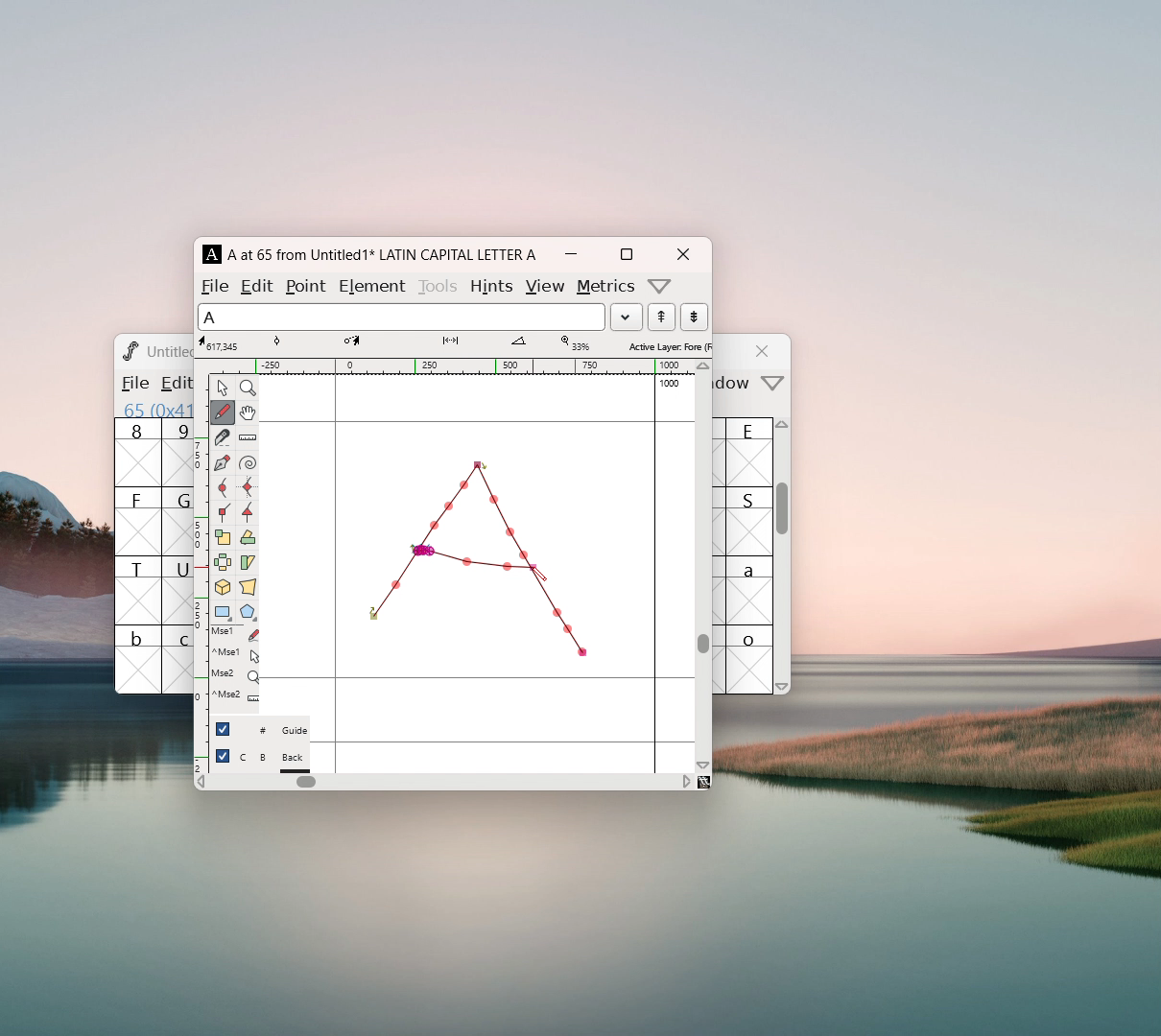 This screenshot has height=1036, width=1161. What do you see at coordinates (223, 388) in the screenshot?
I see `pointer` at bounding box center [223, 388].